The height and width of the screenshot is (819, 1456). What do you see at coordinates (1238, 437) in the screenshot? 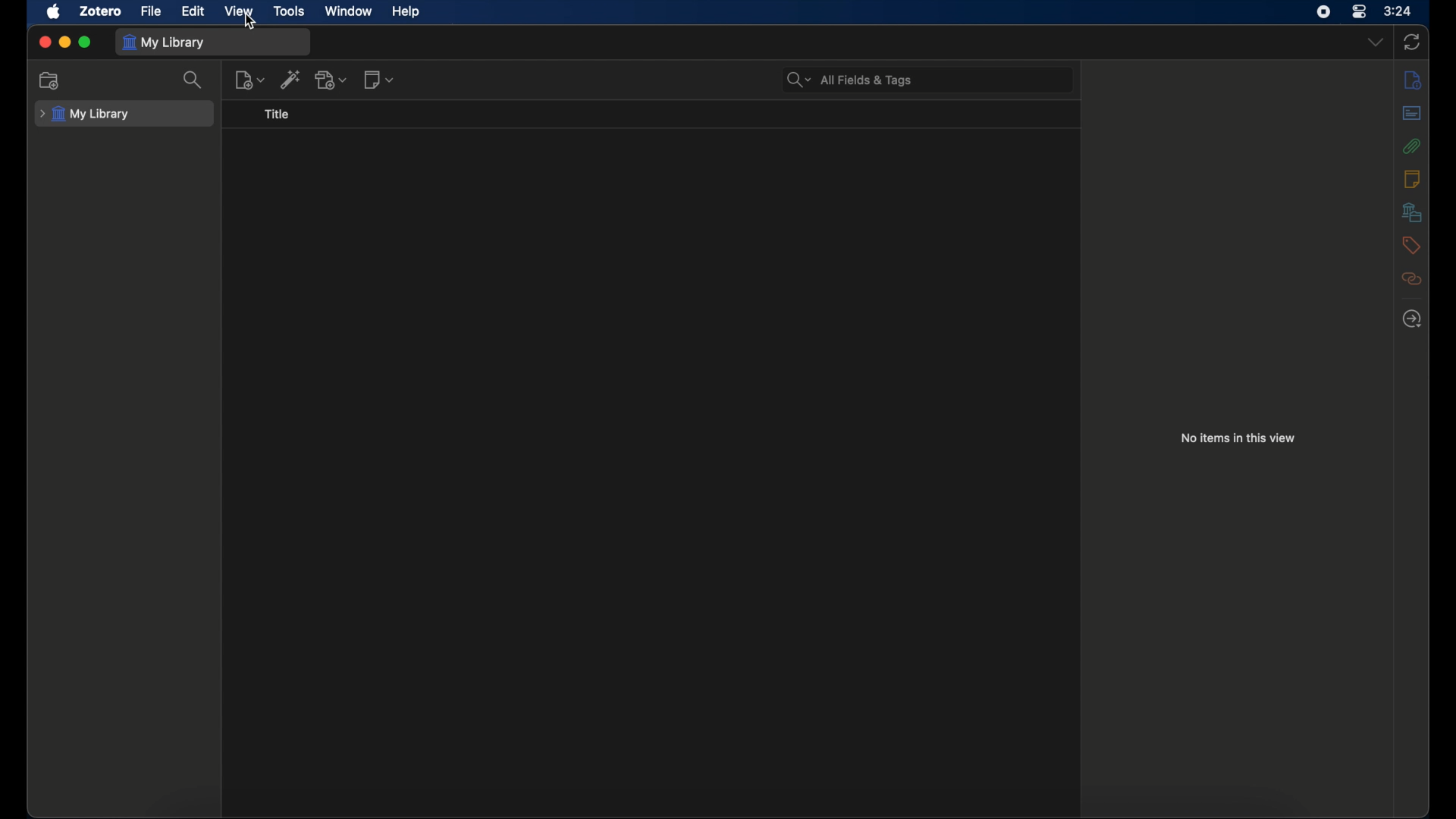
I see `no items in this view` at bounding box center [1238, 437].